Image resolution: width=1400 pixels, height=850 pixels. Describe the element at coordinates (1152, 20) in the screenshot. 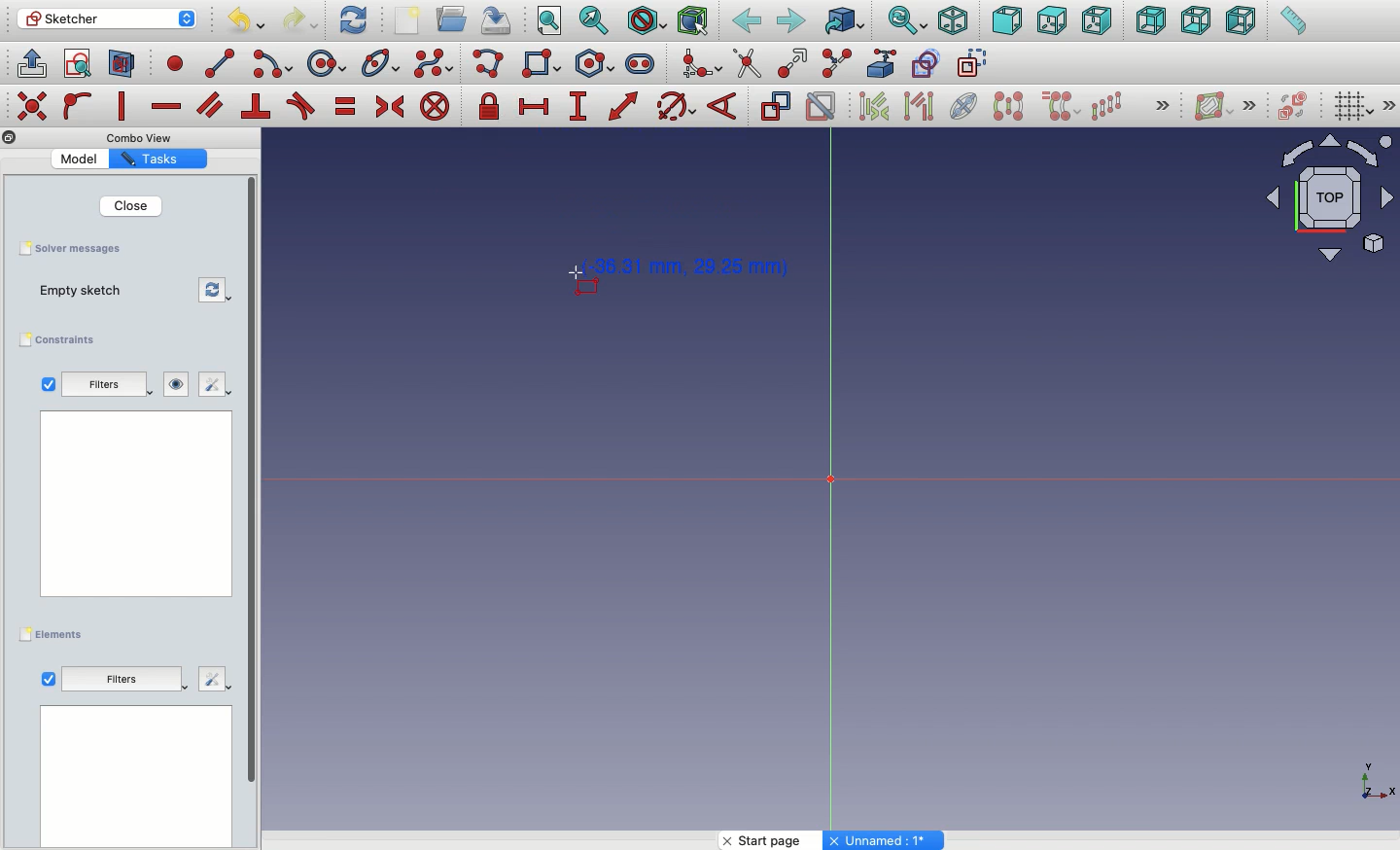

I see `Back` at that location.